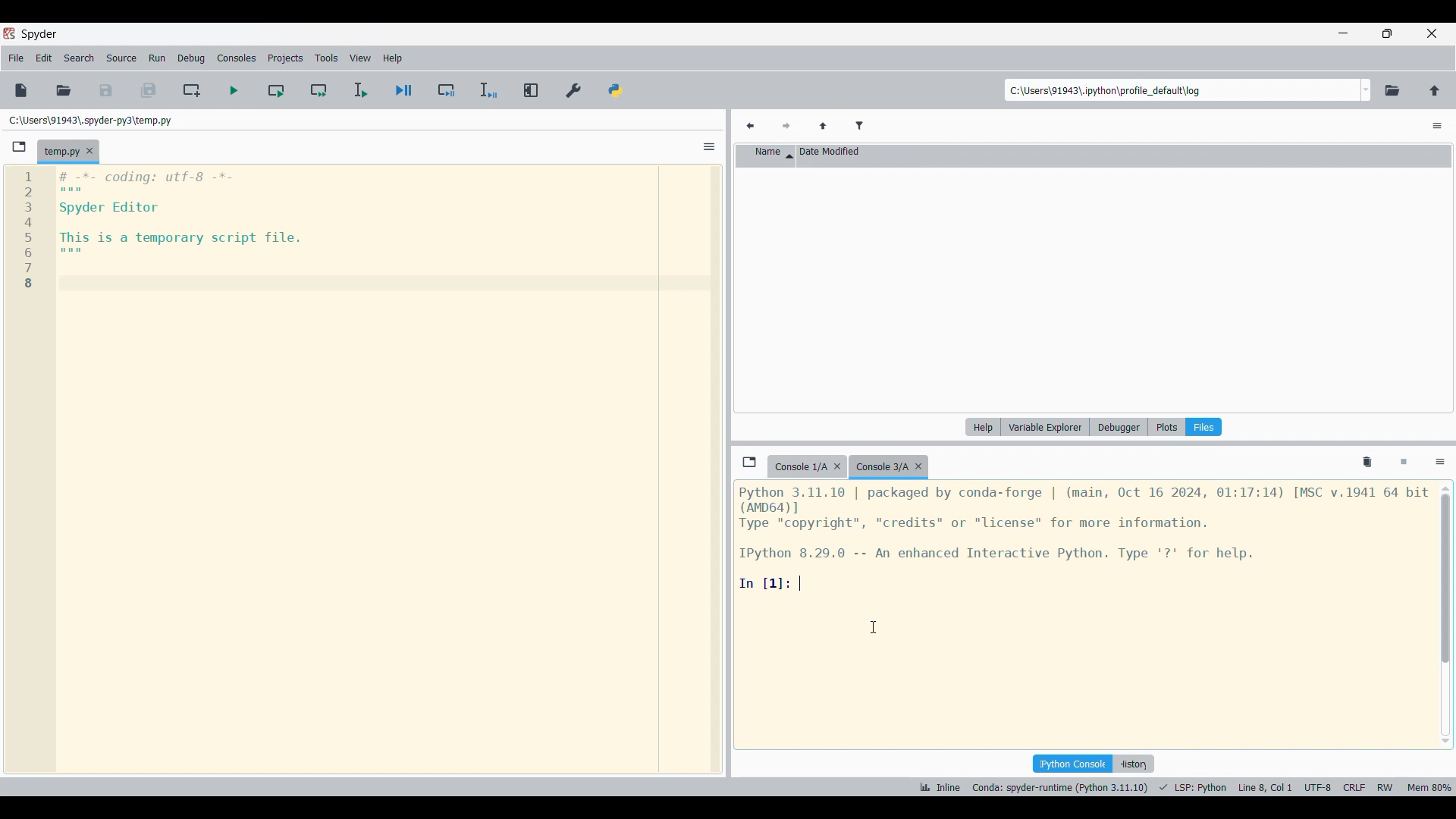 The height and width of the screenshot is (819, 1456). What do you see at coordinates (1185, 787) in the screenshot?
I see `Details of current code` at bounding box center [1185, 787].